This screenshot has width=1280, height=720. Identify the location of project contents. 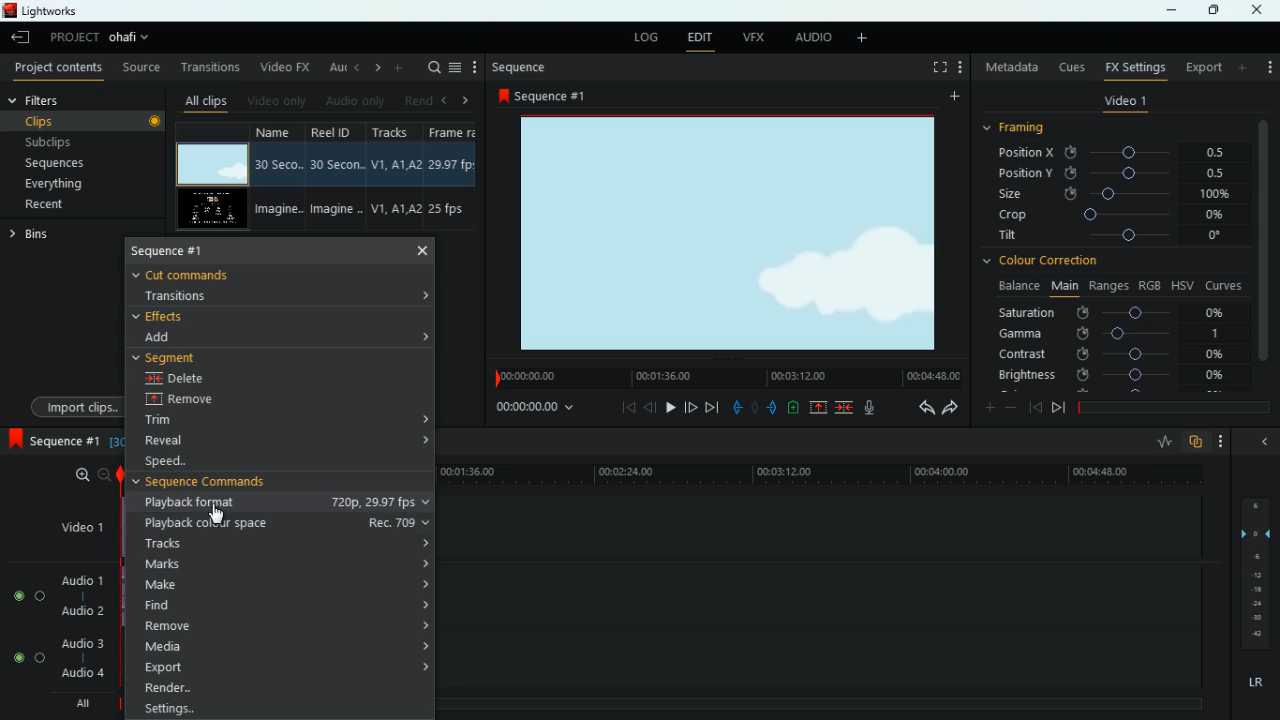
(60, 68).